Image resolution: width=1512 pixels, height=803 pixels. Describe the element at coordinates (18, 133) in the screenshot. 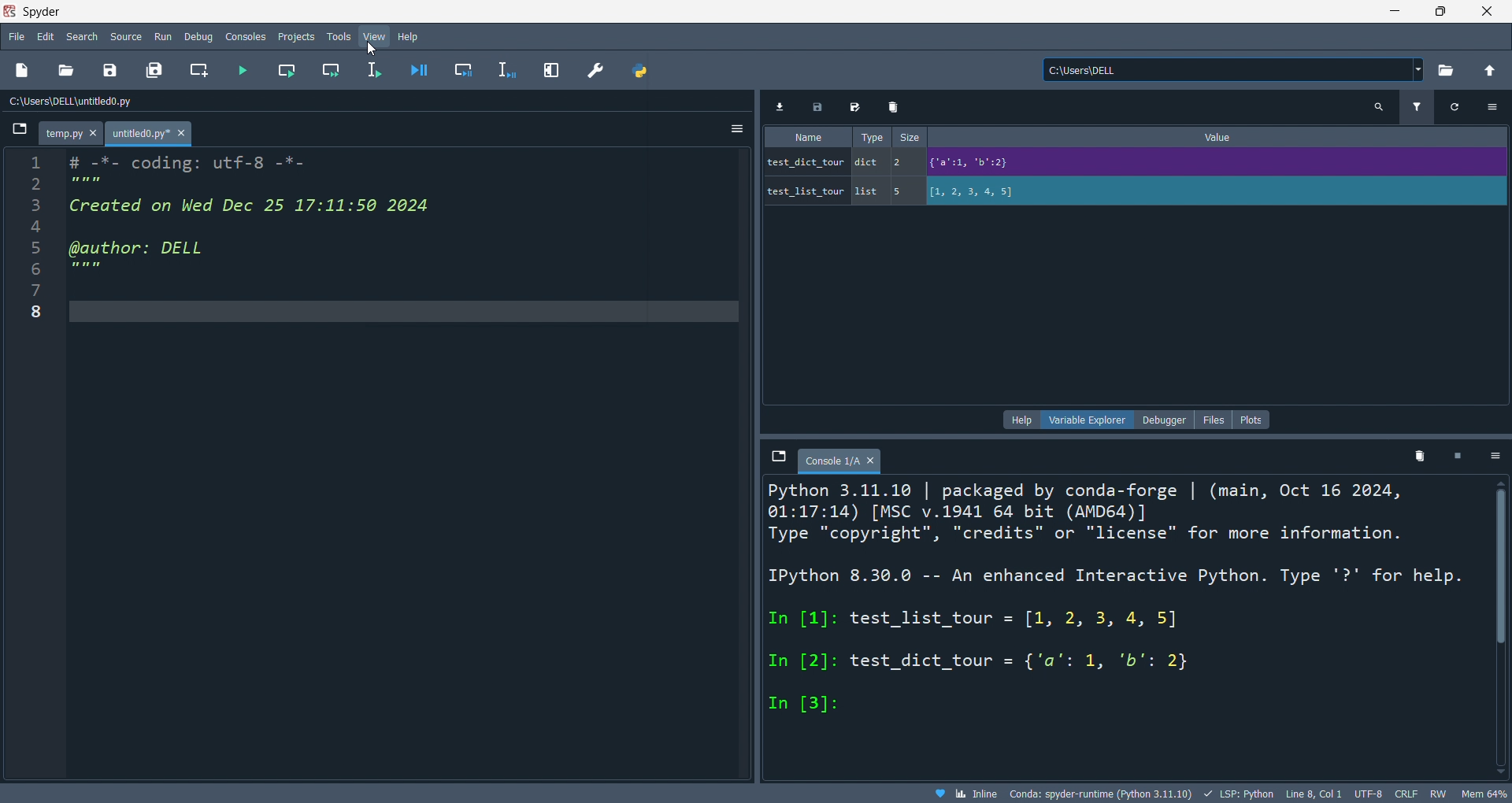

I see `browse tabs` at that location.